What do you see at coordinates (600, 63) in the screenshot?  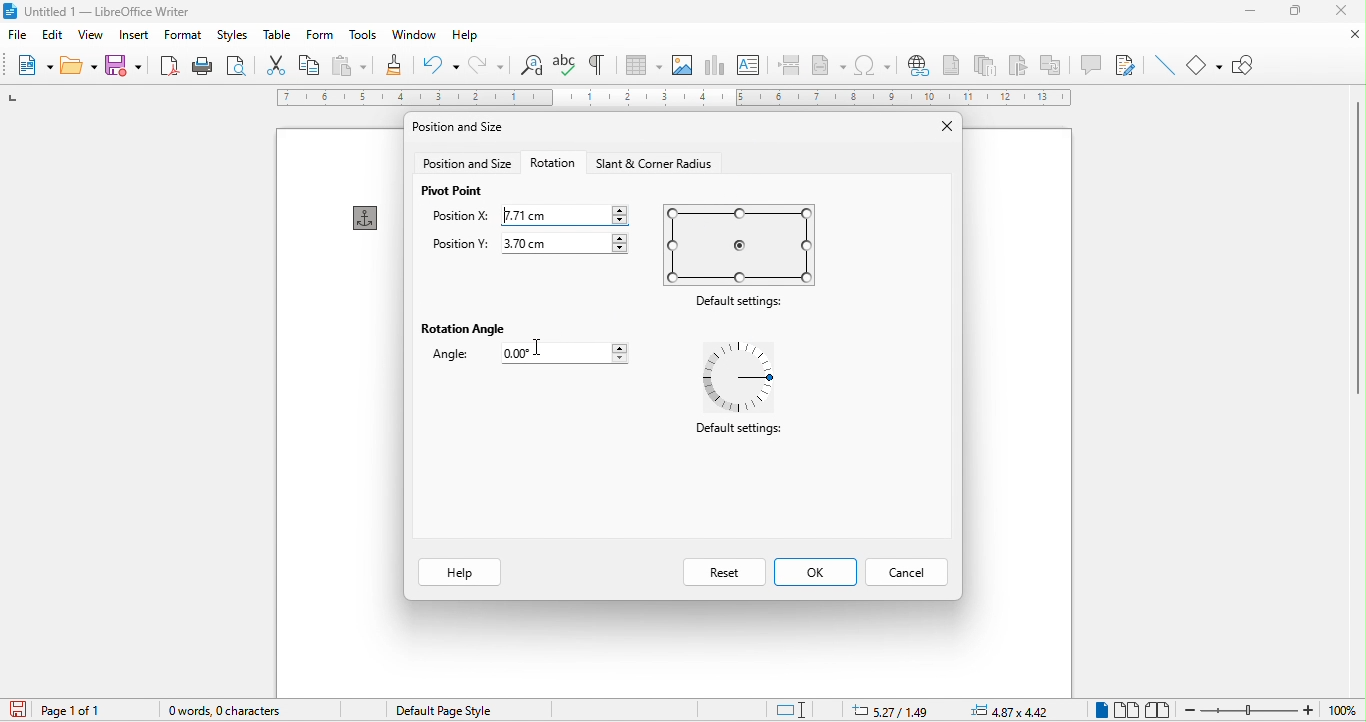 I see `toggle formatting marks` at bounding box center [600, 63].